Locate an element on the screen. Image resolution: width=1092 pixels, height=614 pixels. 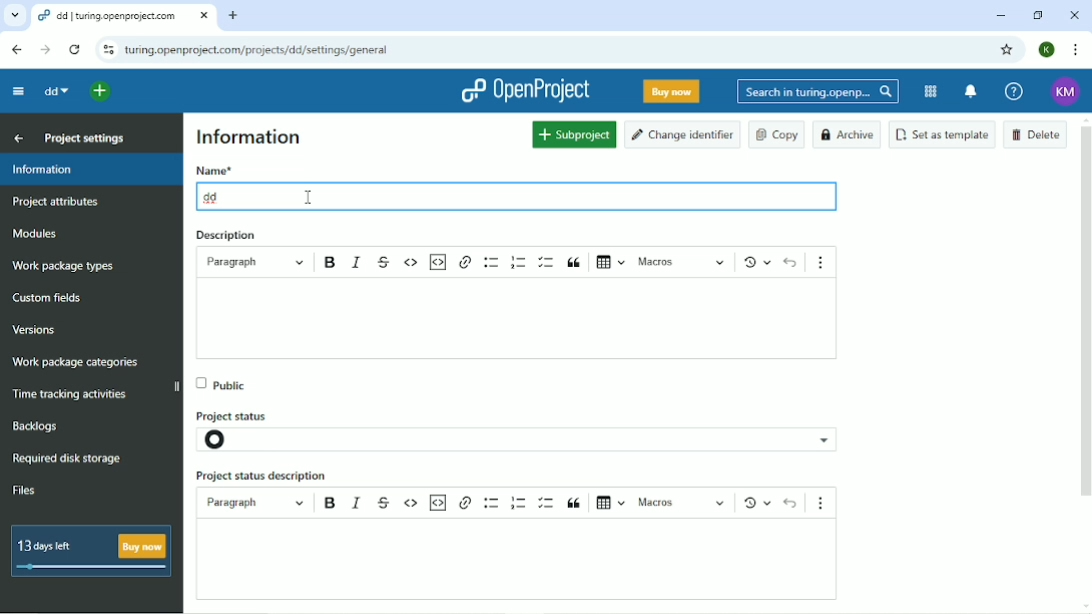
Forward is located at coordinates (45, 51).